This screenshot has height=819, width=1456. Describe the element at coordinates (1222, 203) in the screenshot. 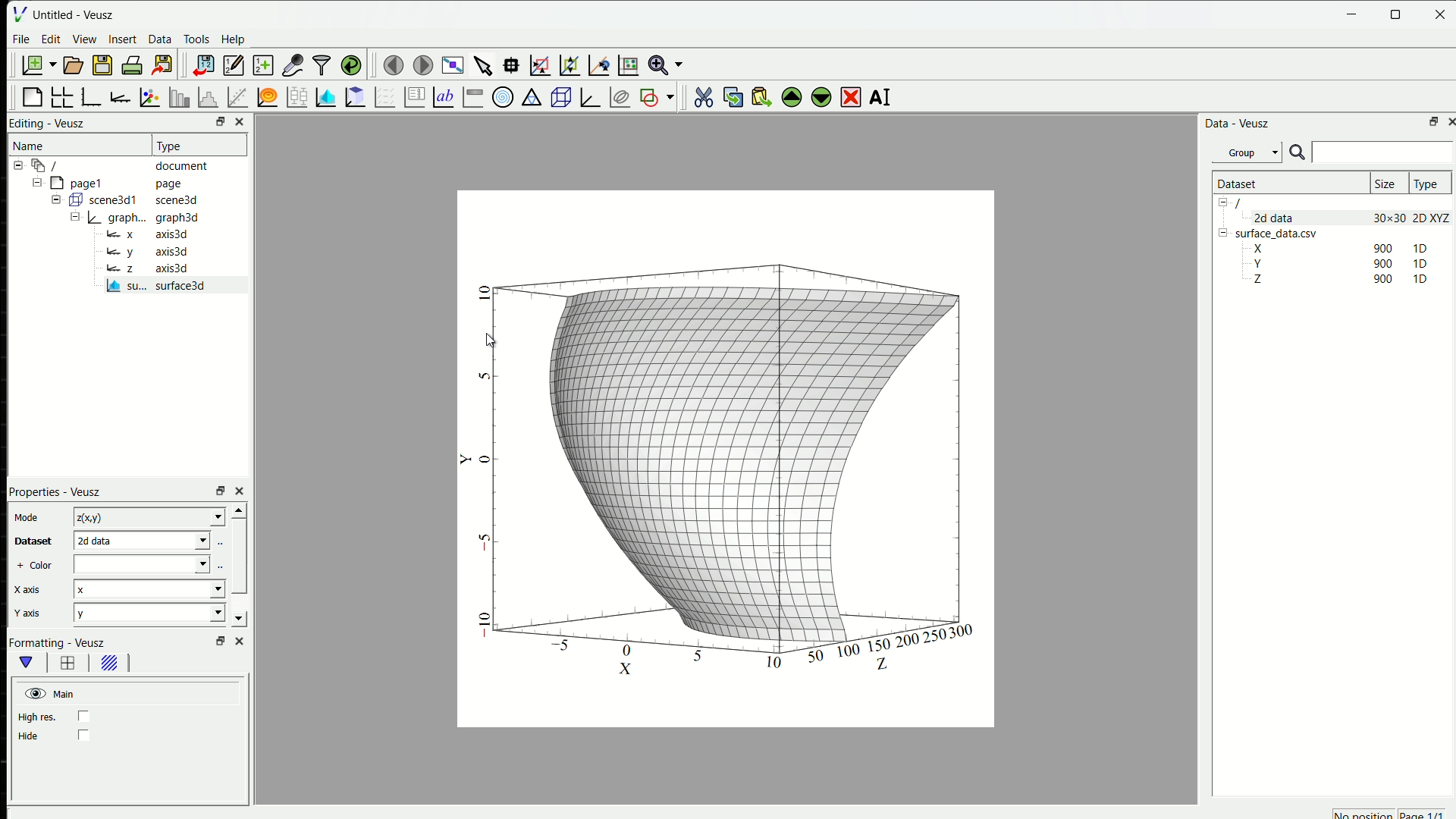

I see `Collapse /expand` at that location.